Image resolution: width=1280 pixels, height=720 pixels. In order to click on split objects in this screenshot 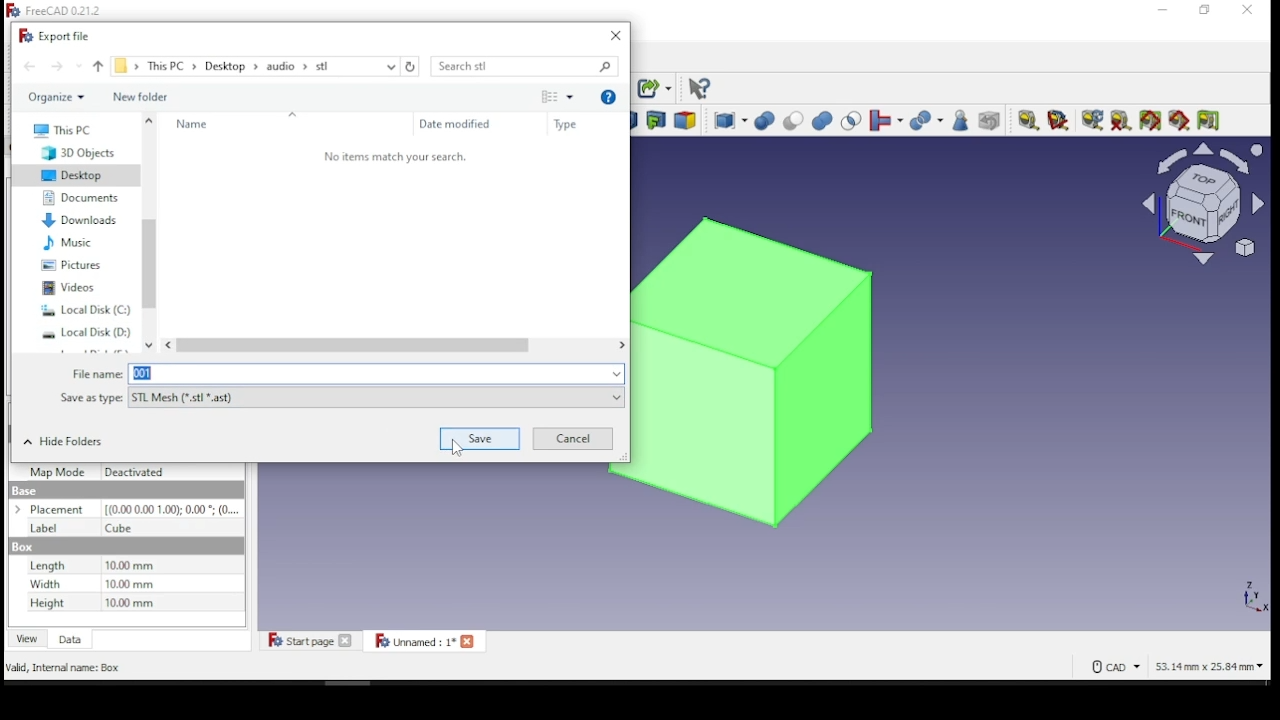, I will do `click(927, 122)`.